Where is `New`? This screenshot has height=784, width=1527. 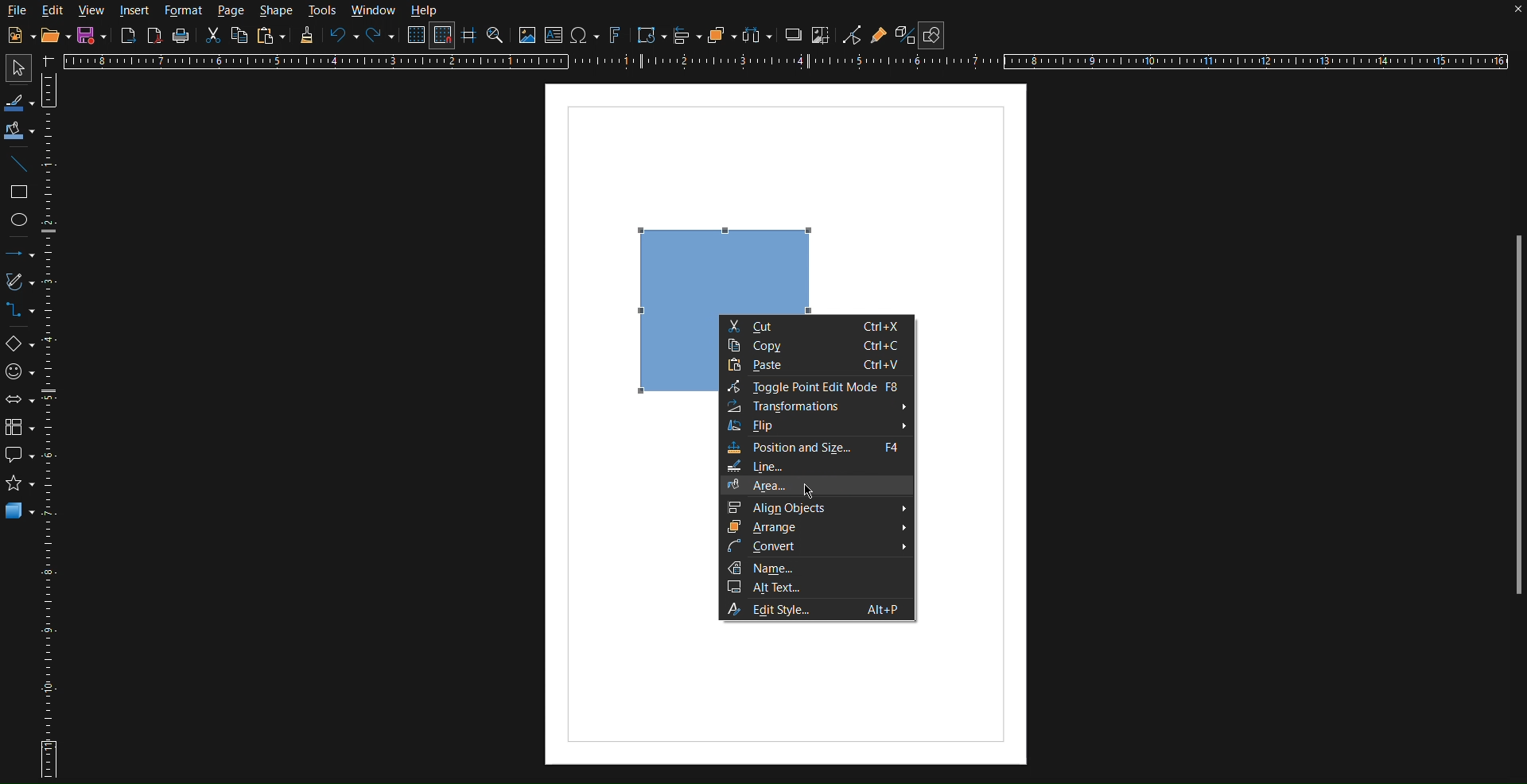 New is located at coordinates (17, 35).